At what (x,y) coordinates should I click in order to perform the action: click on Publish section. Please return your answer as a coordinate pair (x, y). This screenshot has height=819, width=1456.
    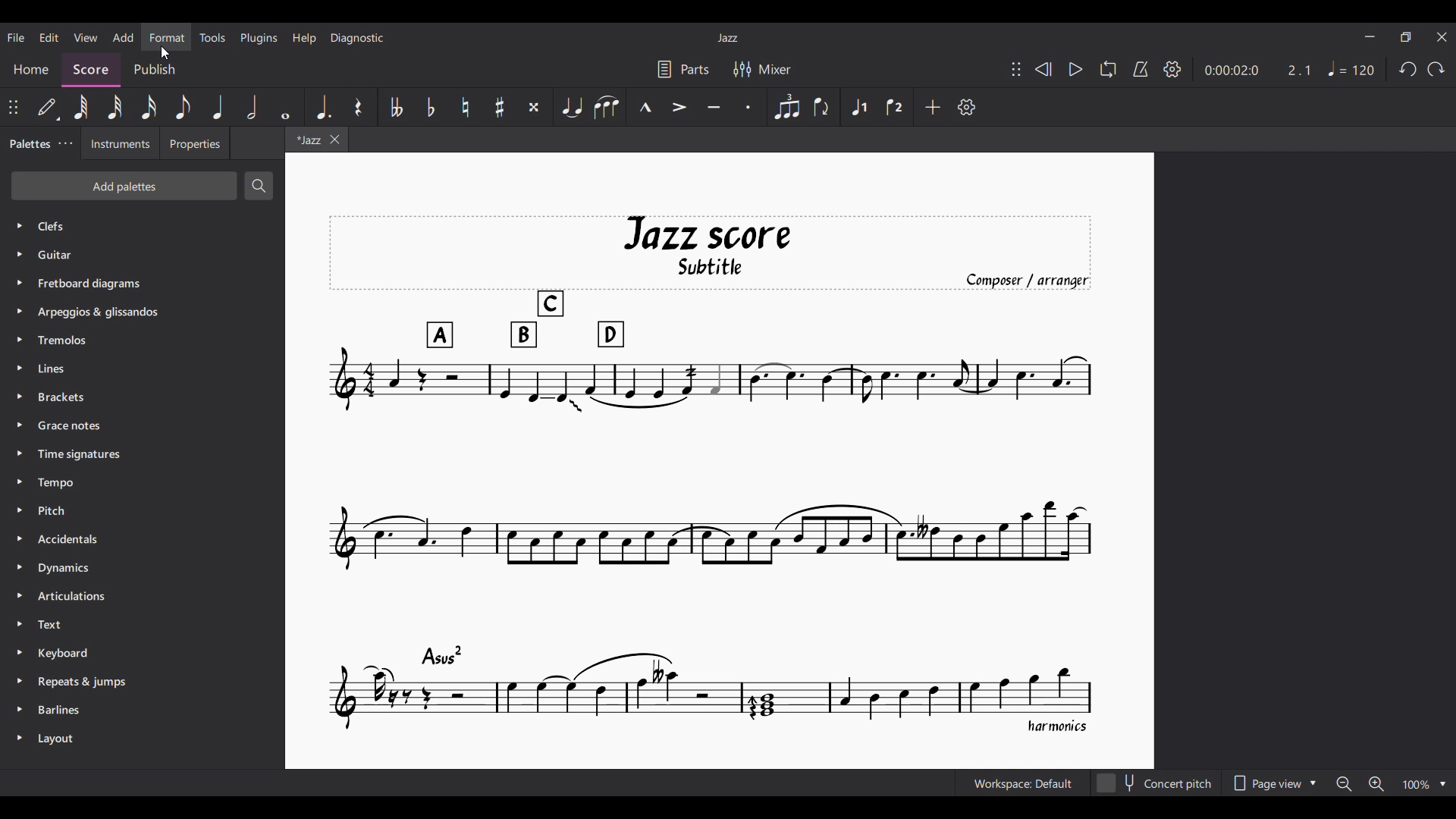
    Looking at the image, I should click on (155, 74).